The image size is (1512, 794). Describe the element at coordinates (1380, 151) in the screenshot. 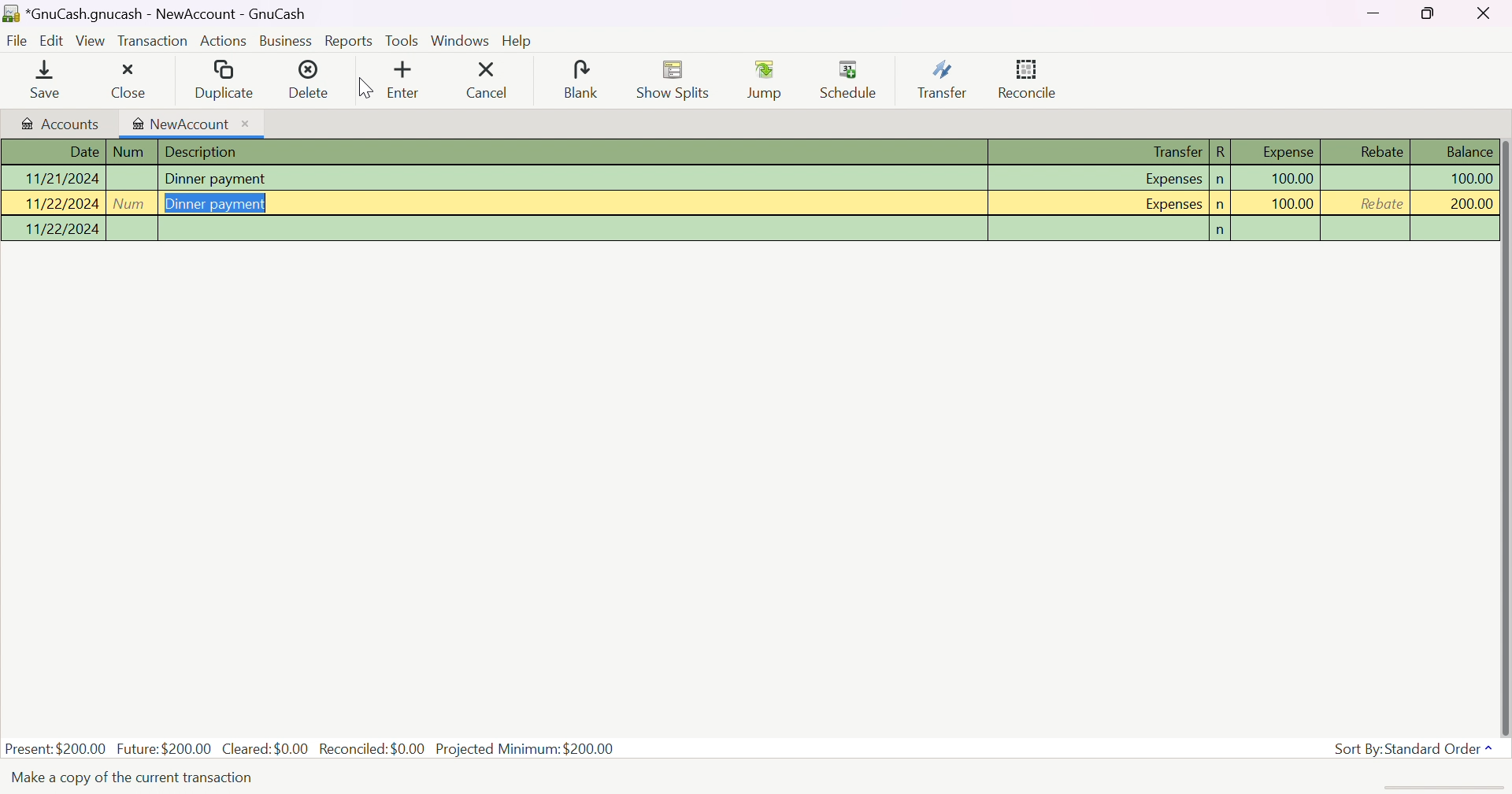

I see `Rebate` at that location.